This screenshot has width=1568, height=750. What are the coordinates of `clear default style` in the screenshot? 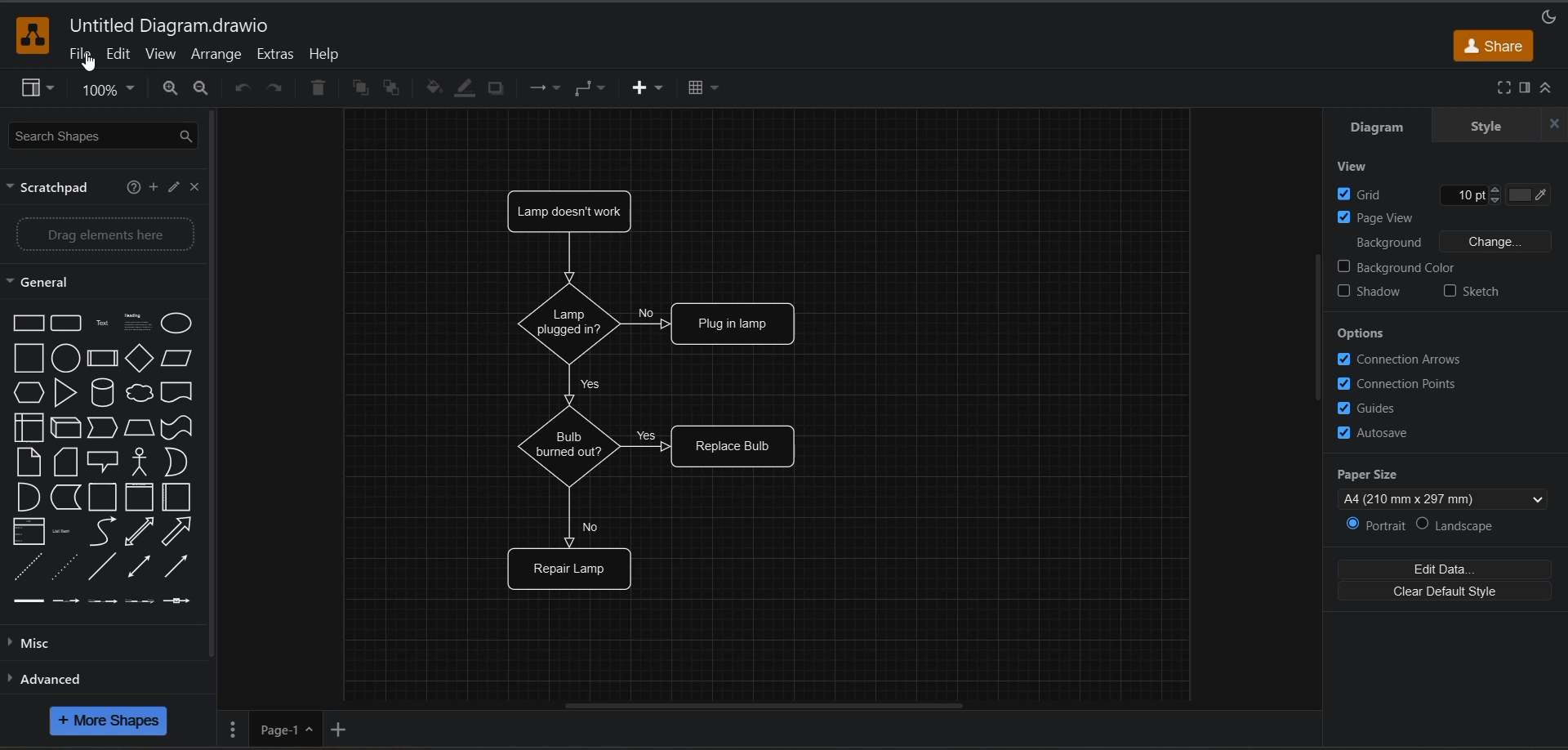 It's located at (1446, 592).